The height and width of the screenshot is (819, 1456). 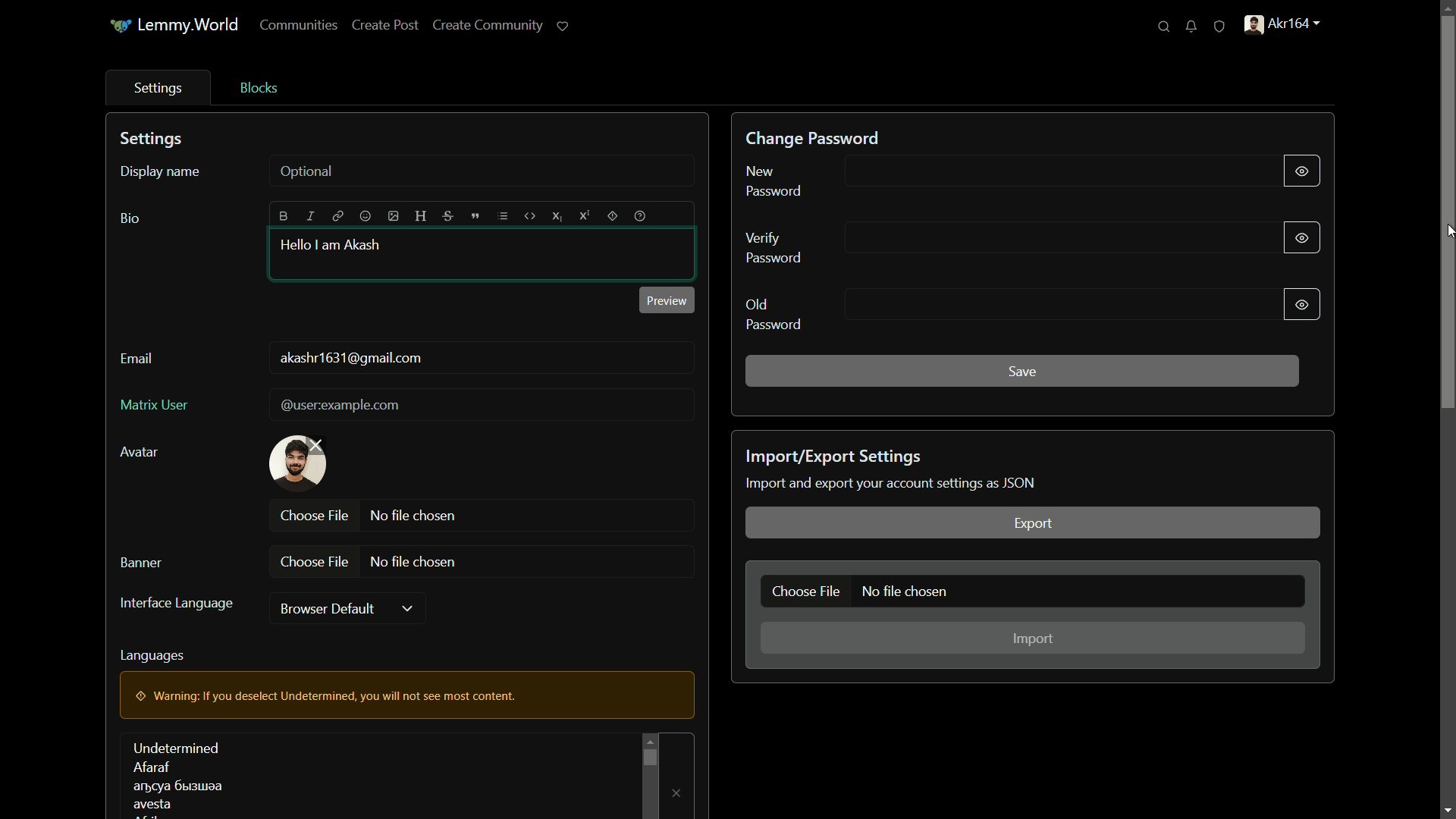 I want to click on verify password, so click(x=774, y=246).